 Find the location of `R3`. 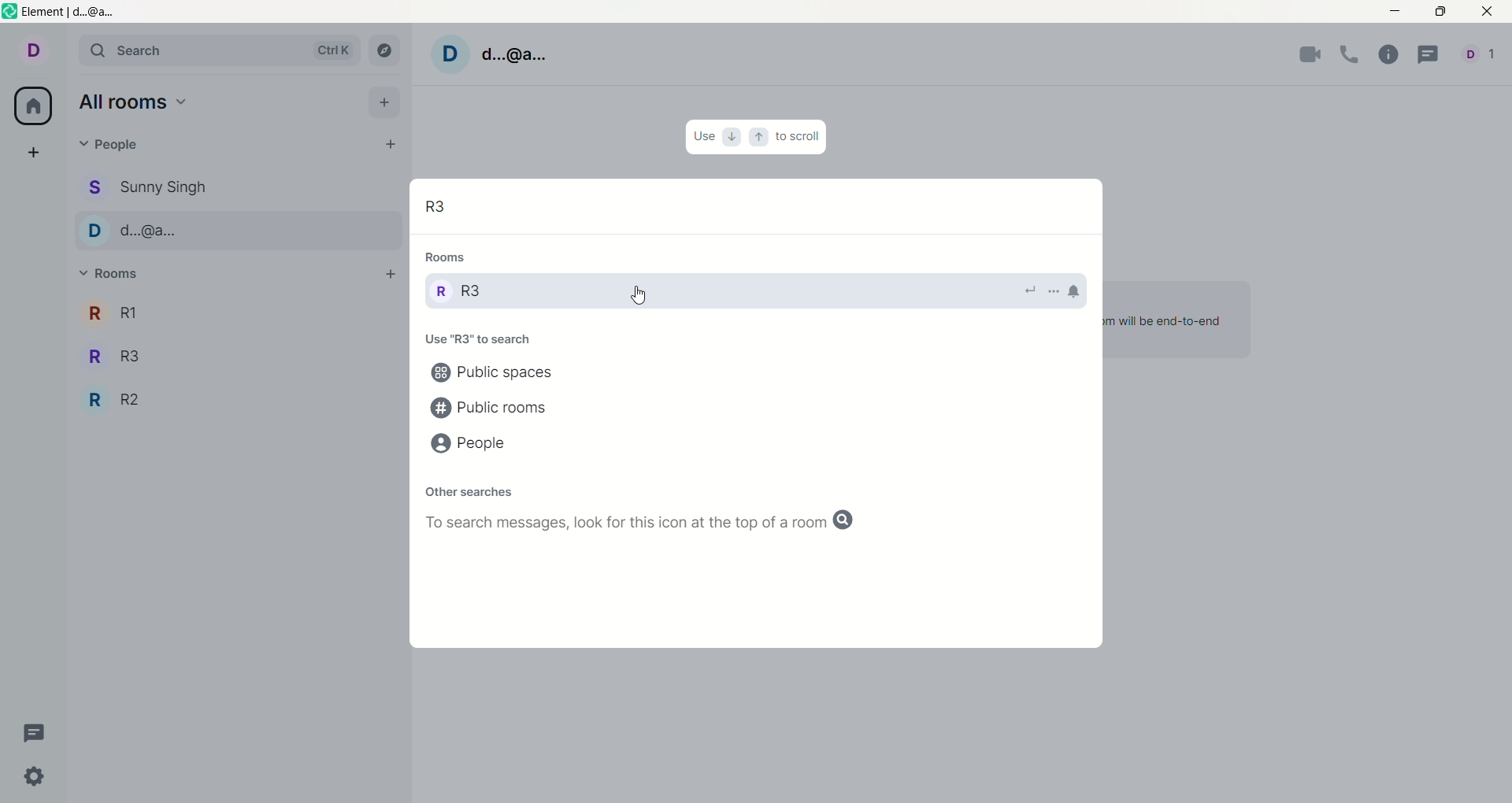

R3 is located at coordinates (441, 208).